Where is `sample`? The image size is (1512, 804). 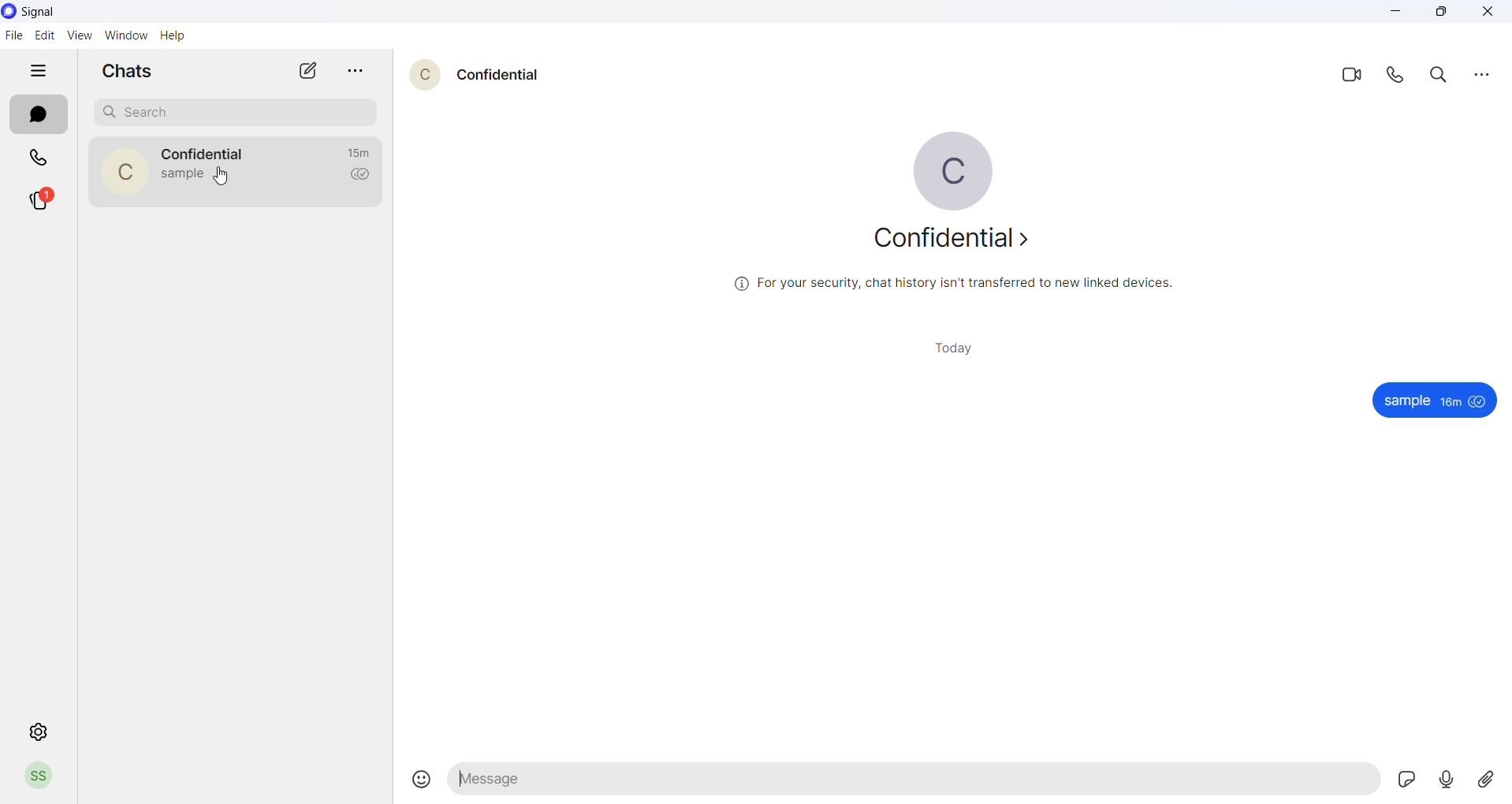 sample is located at coordinates (184, 176).